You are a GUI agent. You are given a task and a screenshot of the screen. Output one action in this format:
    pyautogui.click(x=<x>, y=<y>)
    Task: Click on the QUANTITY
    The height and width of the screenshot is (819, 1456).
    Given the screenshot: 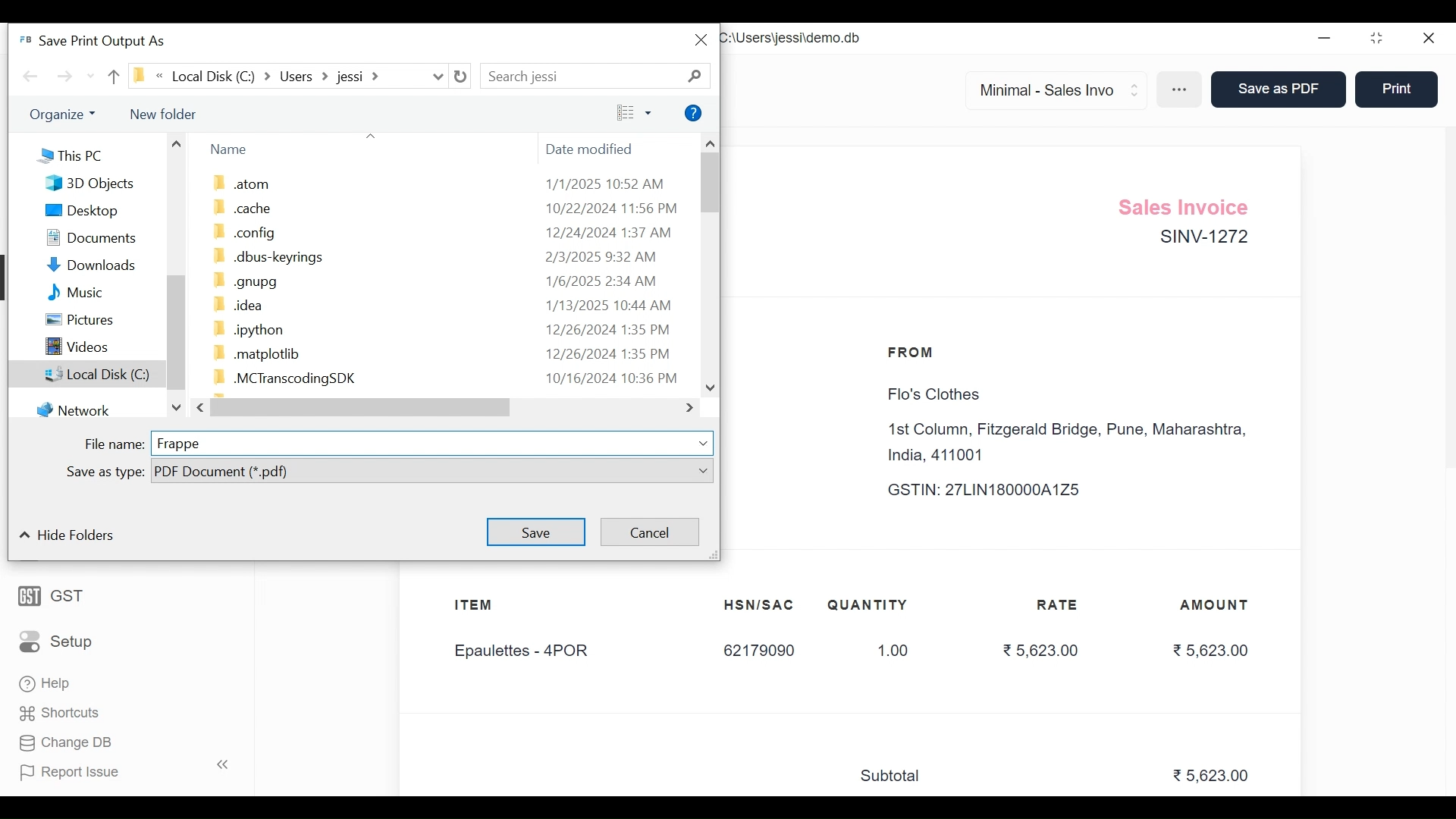 What is the action you would take?
    pyautogui.click(x=868, y=605)
    